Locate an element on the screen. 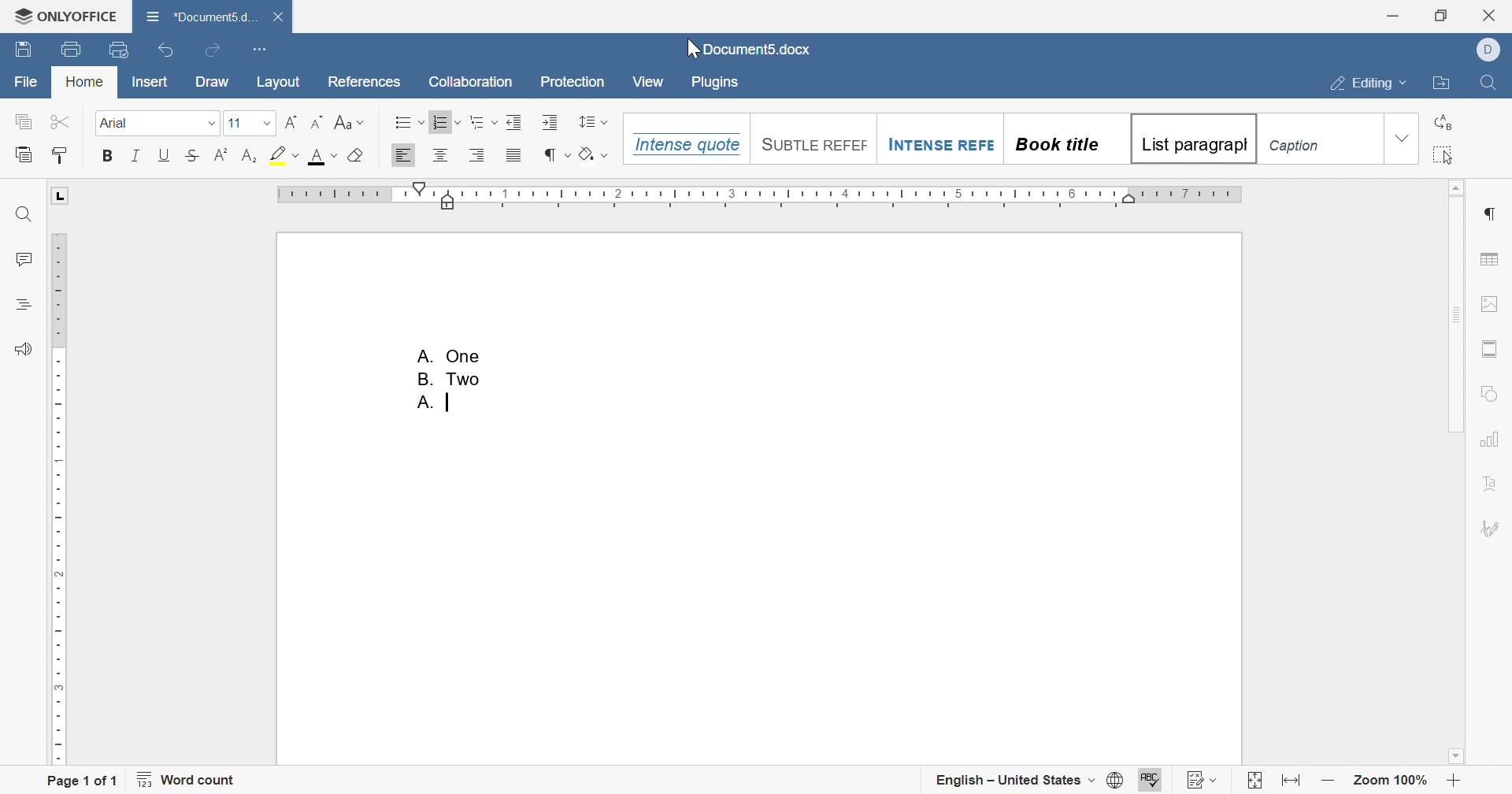  drop down is located at coordinates (269, 122).